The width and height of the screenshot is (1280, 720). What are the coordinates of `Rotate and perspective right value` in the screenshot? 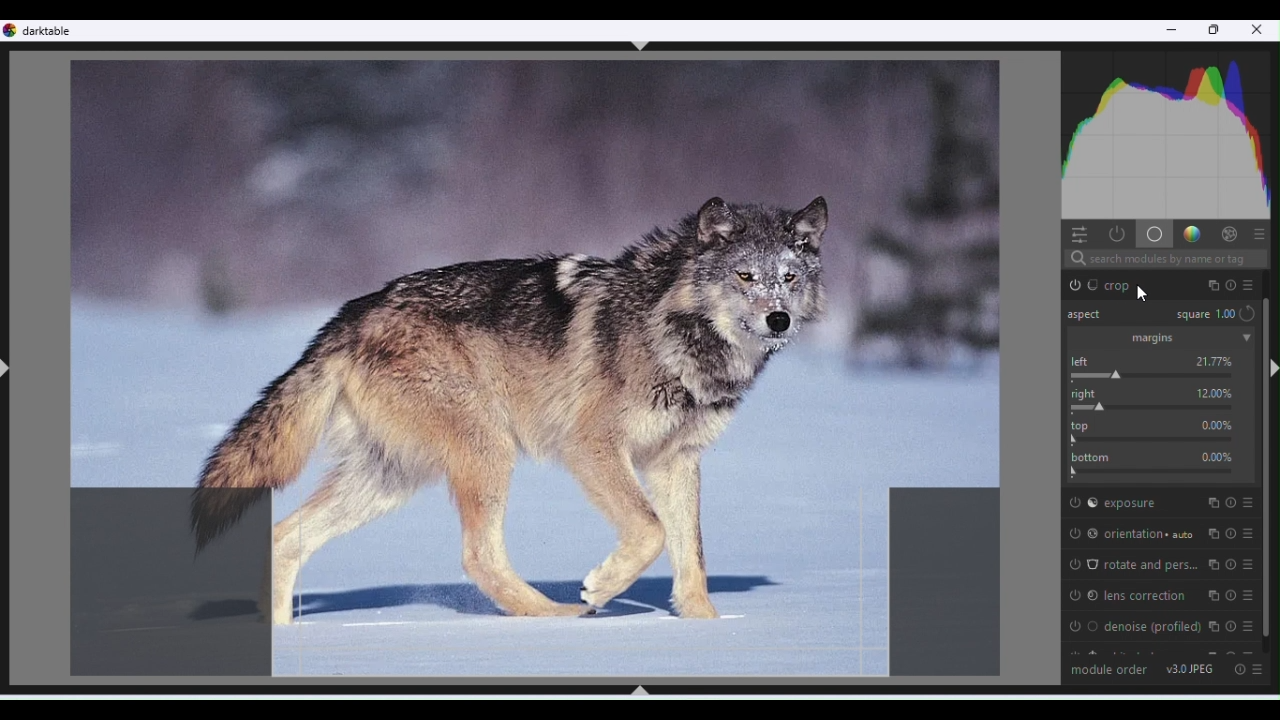 It's located at (1163, 408).